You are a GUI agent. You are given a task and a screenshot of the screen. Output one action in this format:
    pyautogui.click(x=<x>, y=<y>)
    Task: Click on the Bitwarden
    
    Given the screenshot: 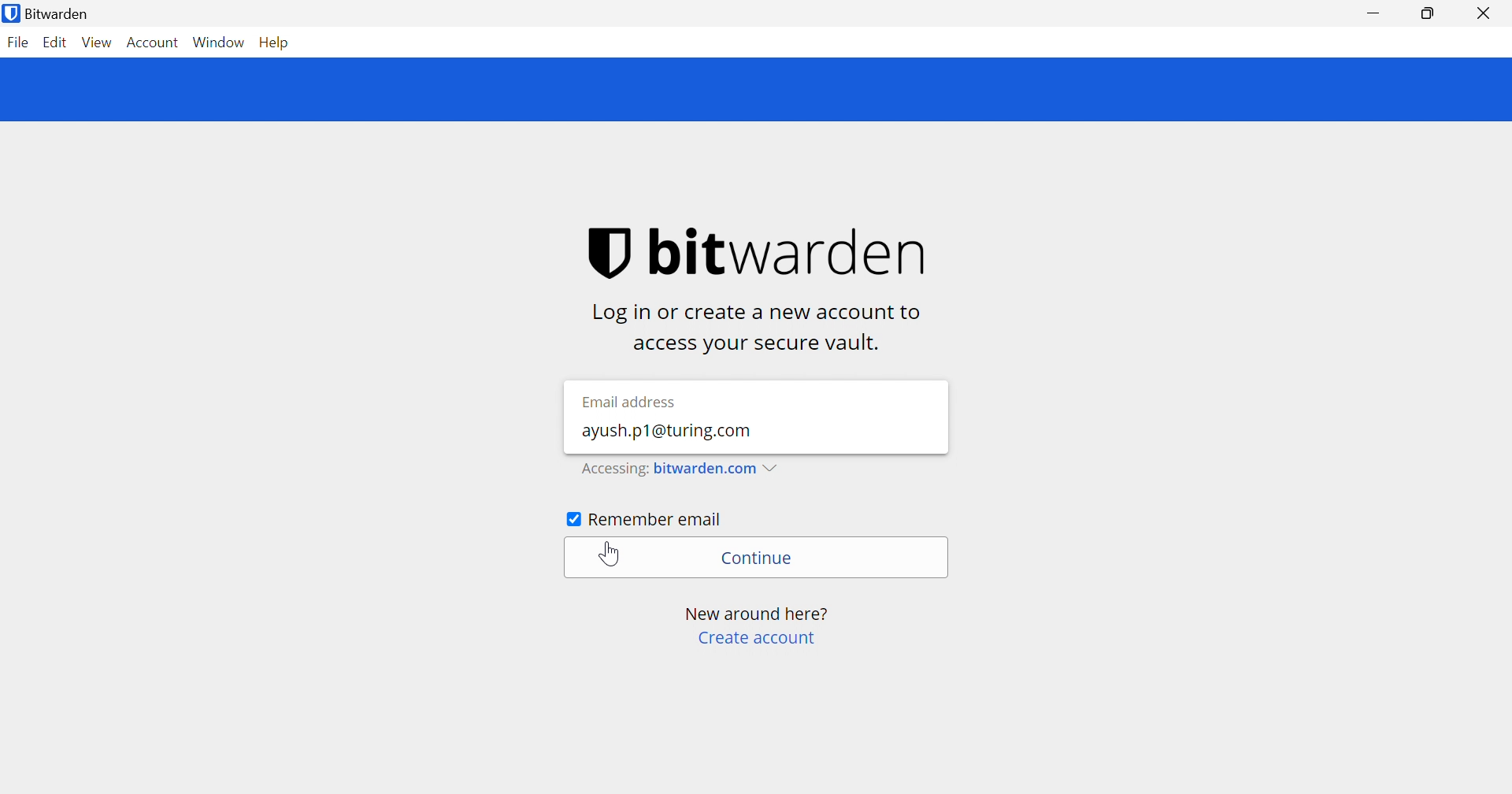 What is the action you would take?
    pyautogui.click(x=50, y=14)
    